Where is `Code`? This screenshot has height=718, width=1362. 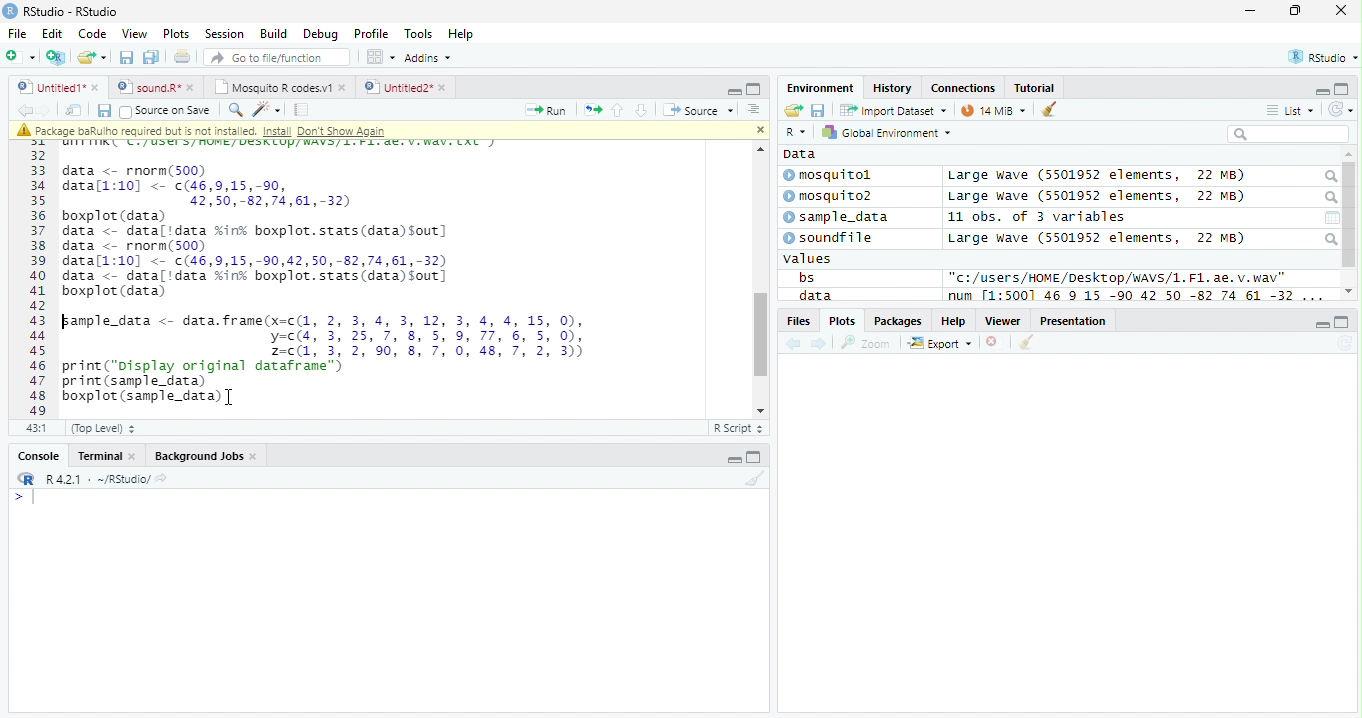
Code is located at coordinates (92, 34).